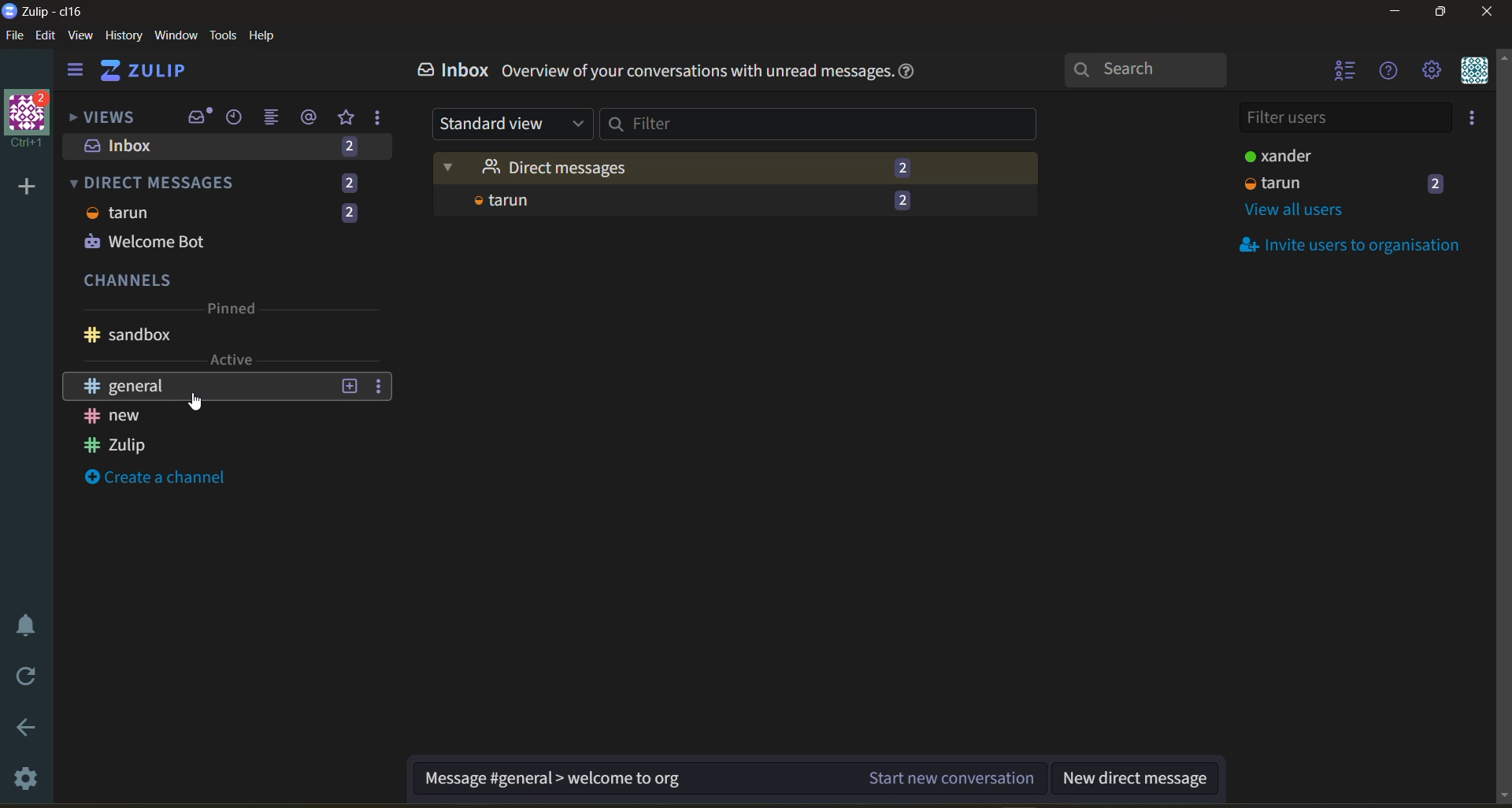  Describe the element at coordinates (278, 120) in the screenshot. I see `combined feed` at that location.